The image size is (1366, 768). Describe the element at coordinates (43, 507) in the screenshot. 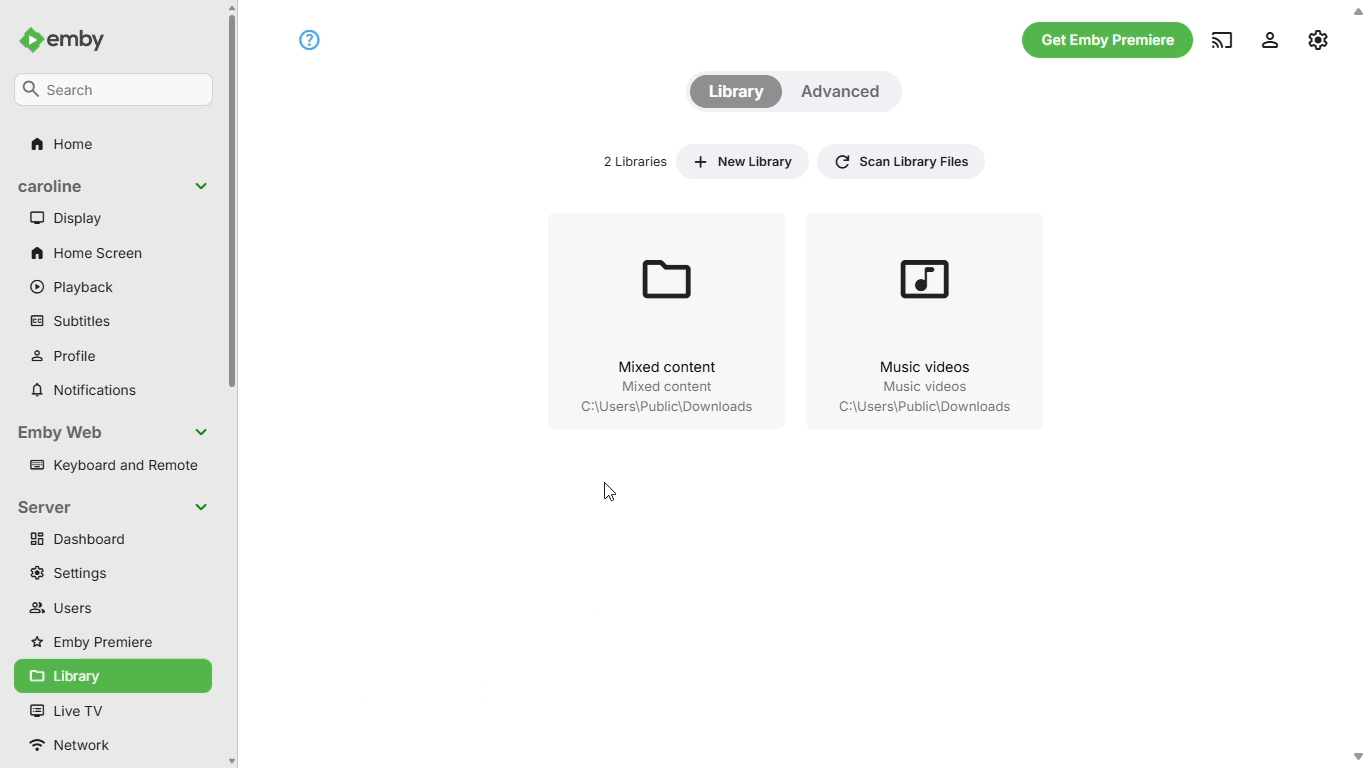

I see `server` at that location.